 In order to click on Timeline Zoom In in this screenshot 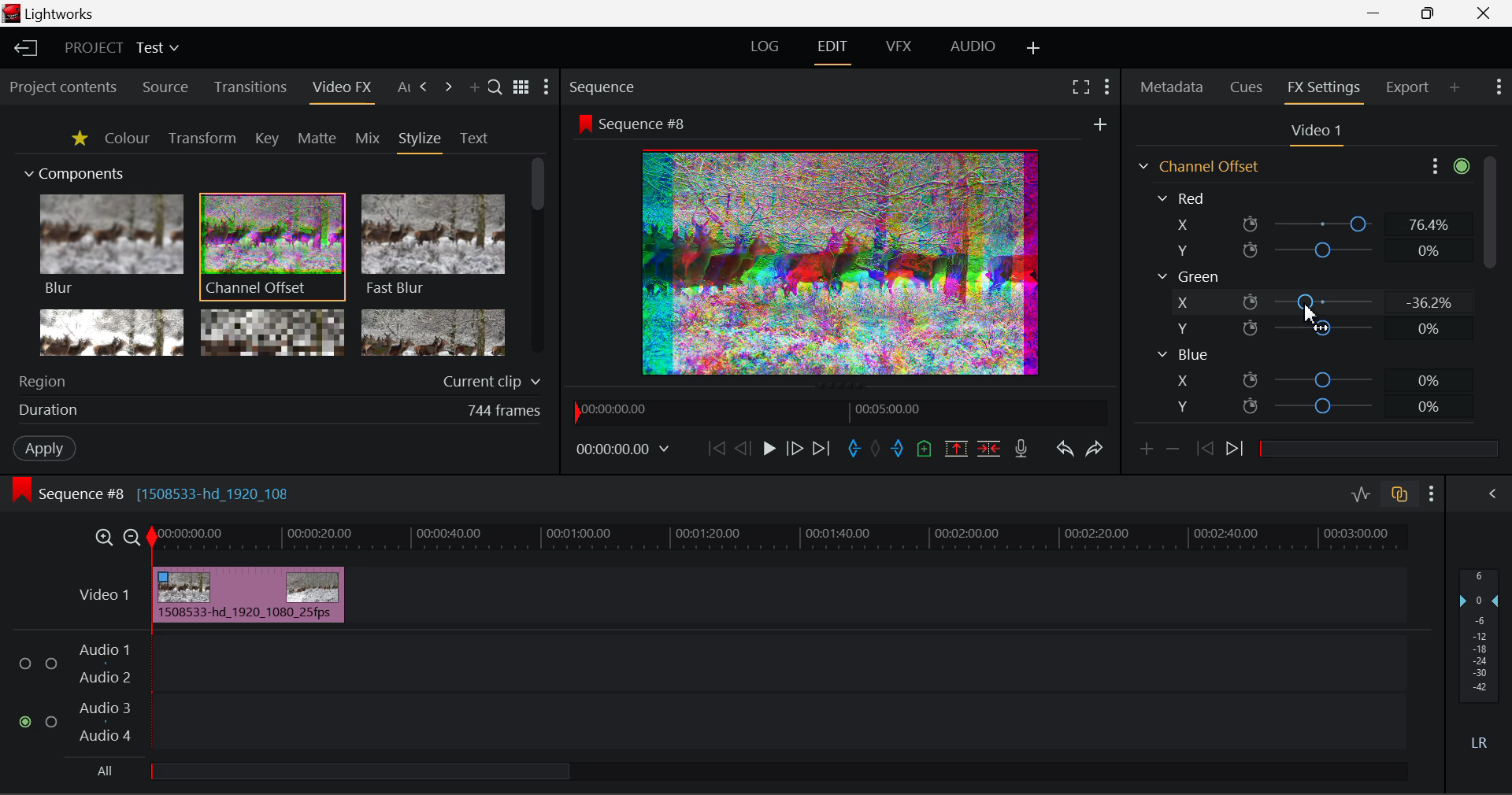, I will do `click(103, 539)`.